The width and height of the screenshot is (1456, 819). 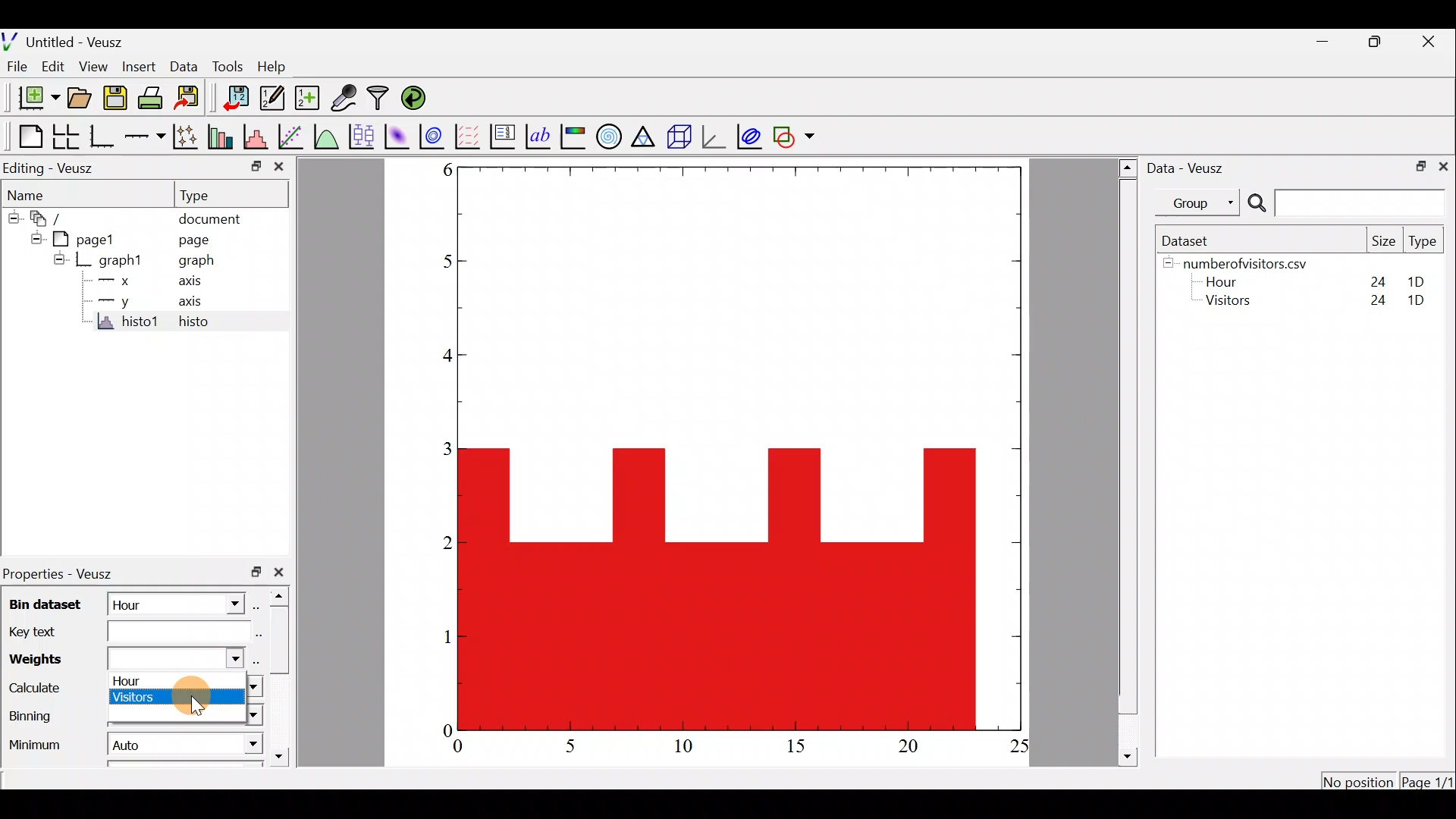 What do you see at coordinates (217, 605) in the screenshot?
I see `bin dataset dropdown` at bounding box center [217, 605].